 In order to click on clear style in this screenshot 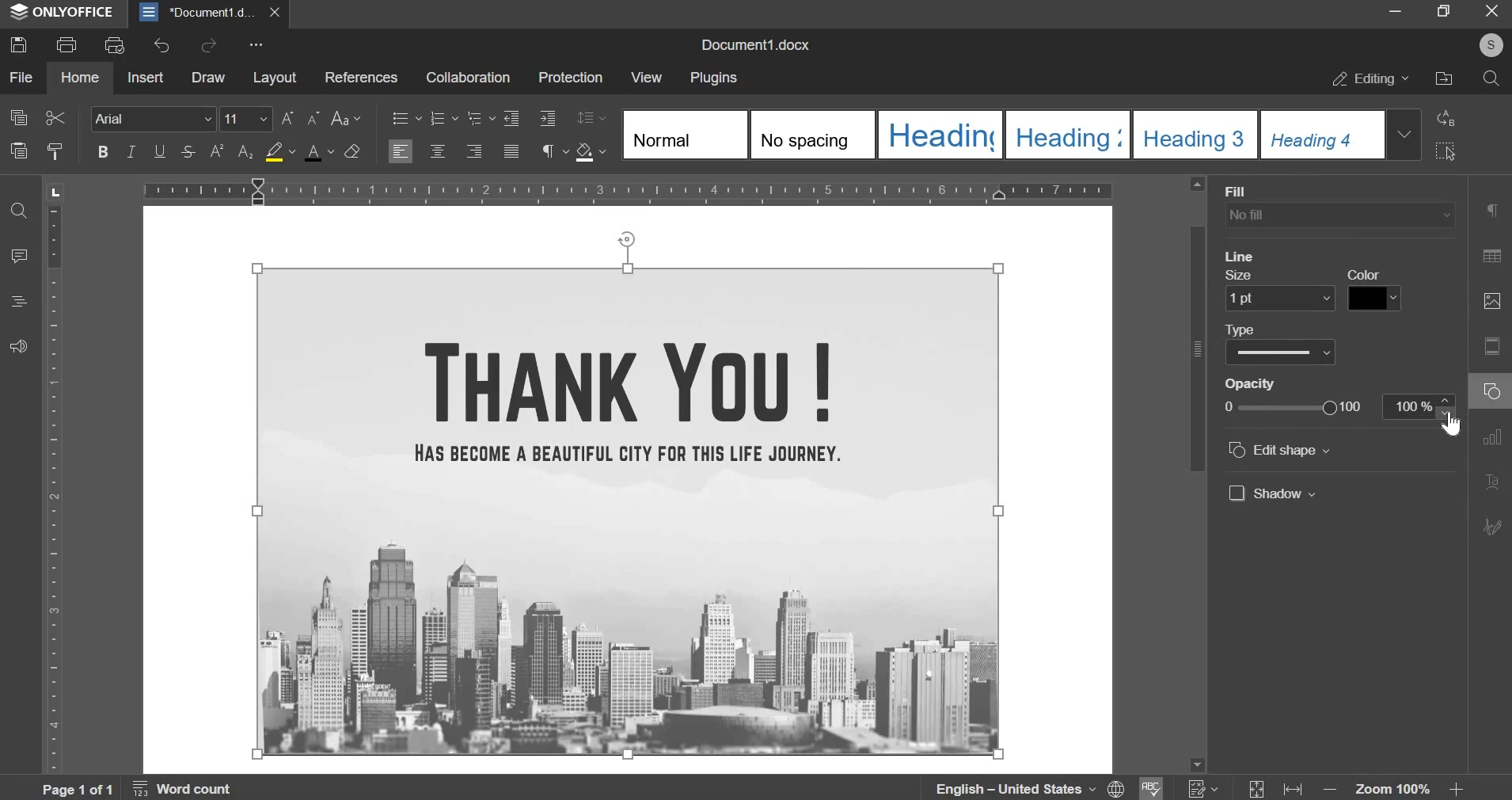, I will do `click(57, 150)`.